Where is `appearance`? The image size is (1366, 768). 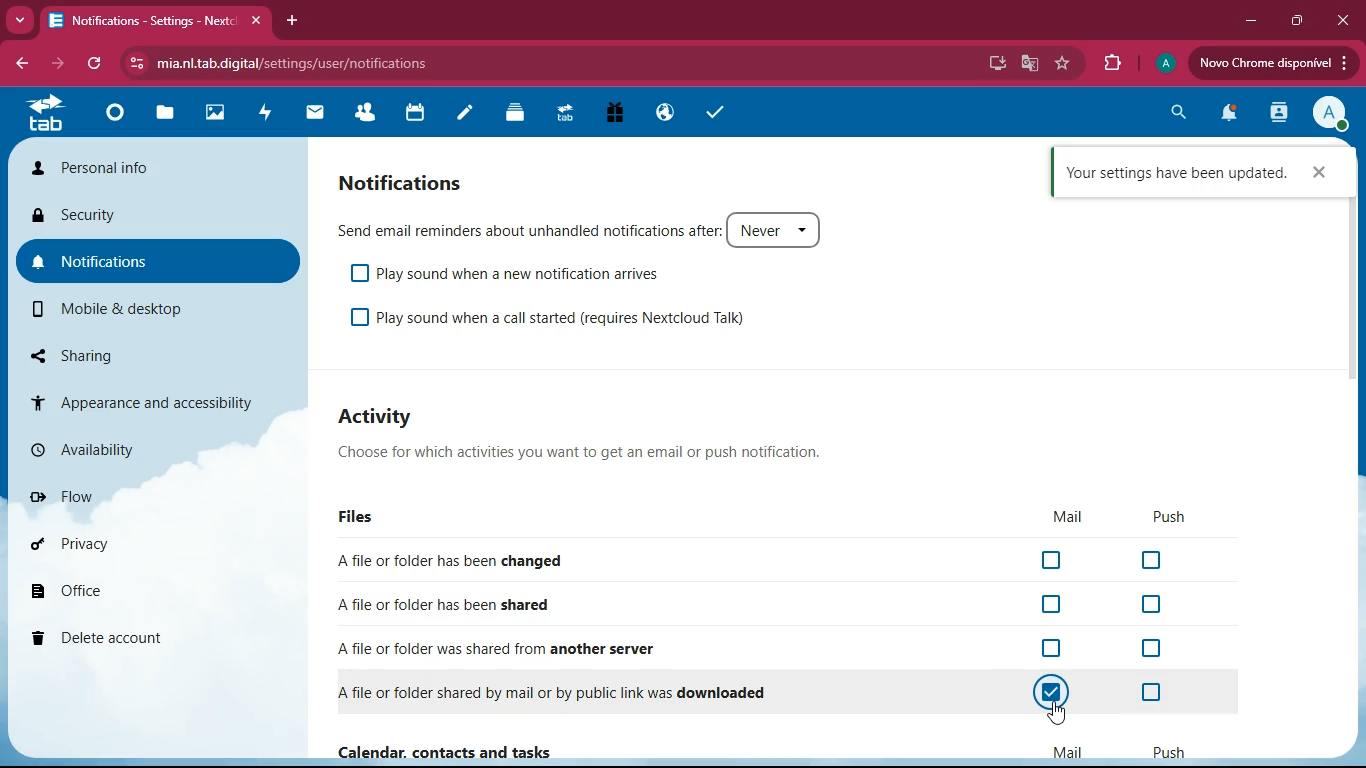
appearance is located at coordinates (150, 399).